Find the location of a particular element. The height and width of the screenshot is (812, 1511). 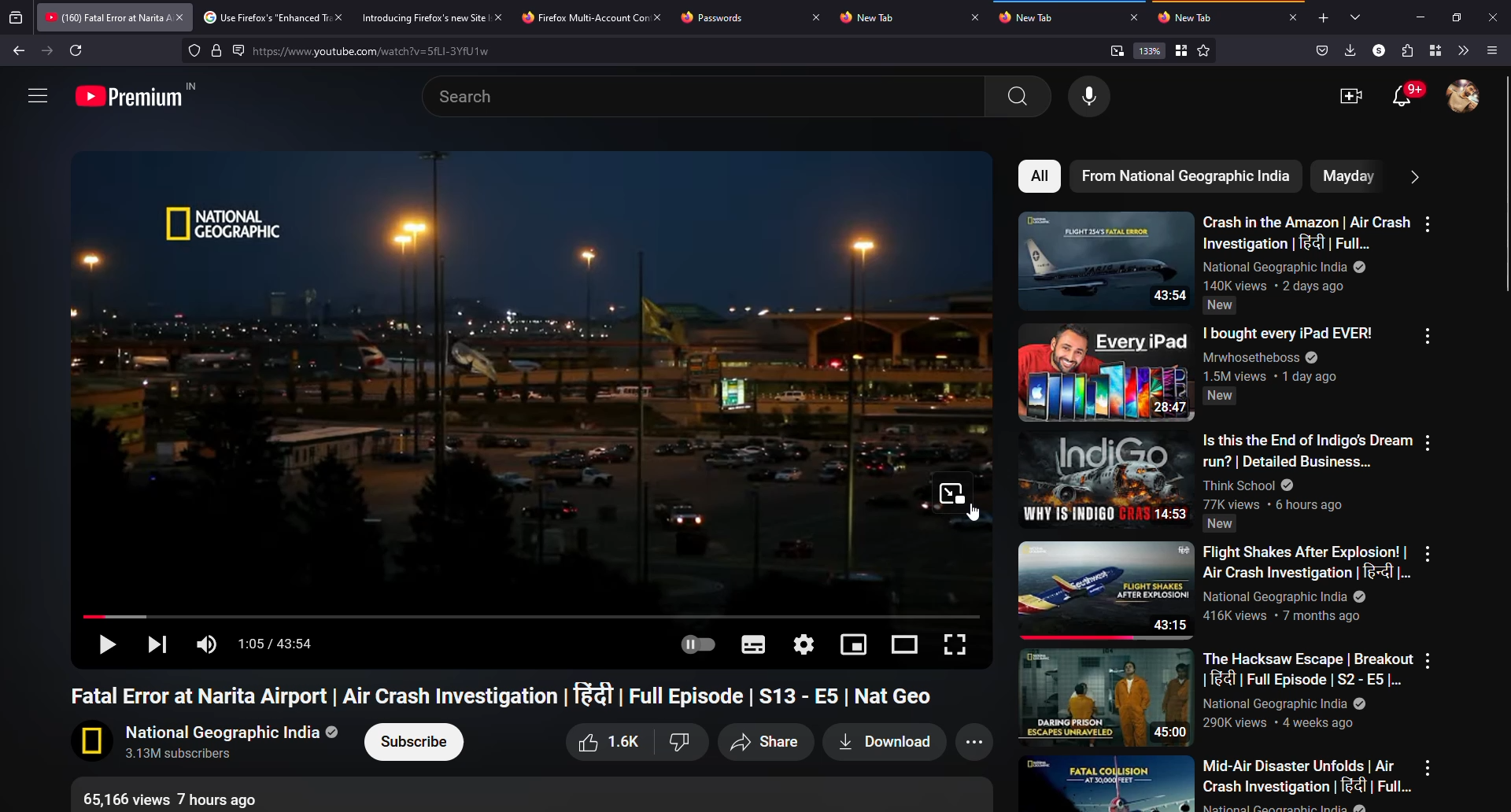

nat geo is located at coordinates (1186, 176).